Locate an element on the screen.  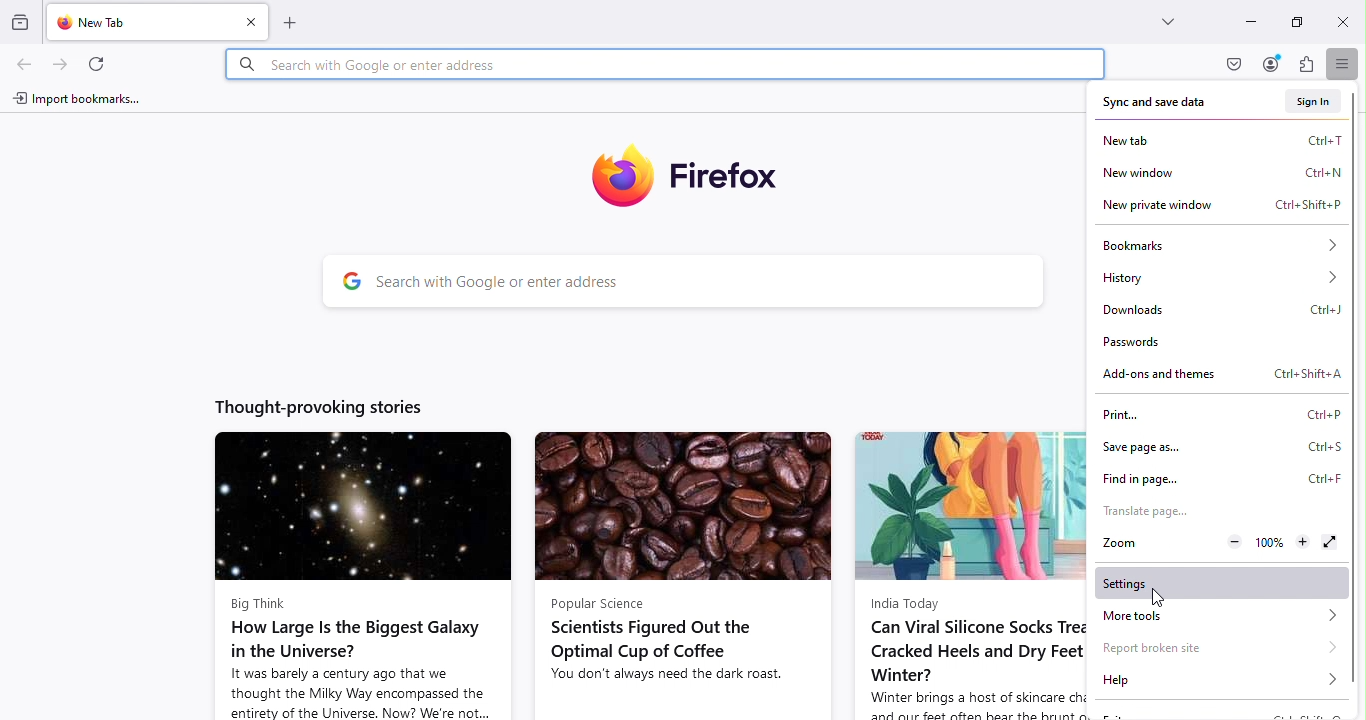
History is located at coordinates (1219, 275).